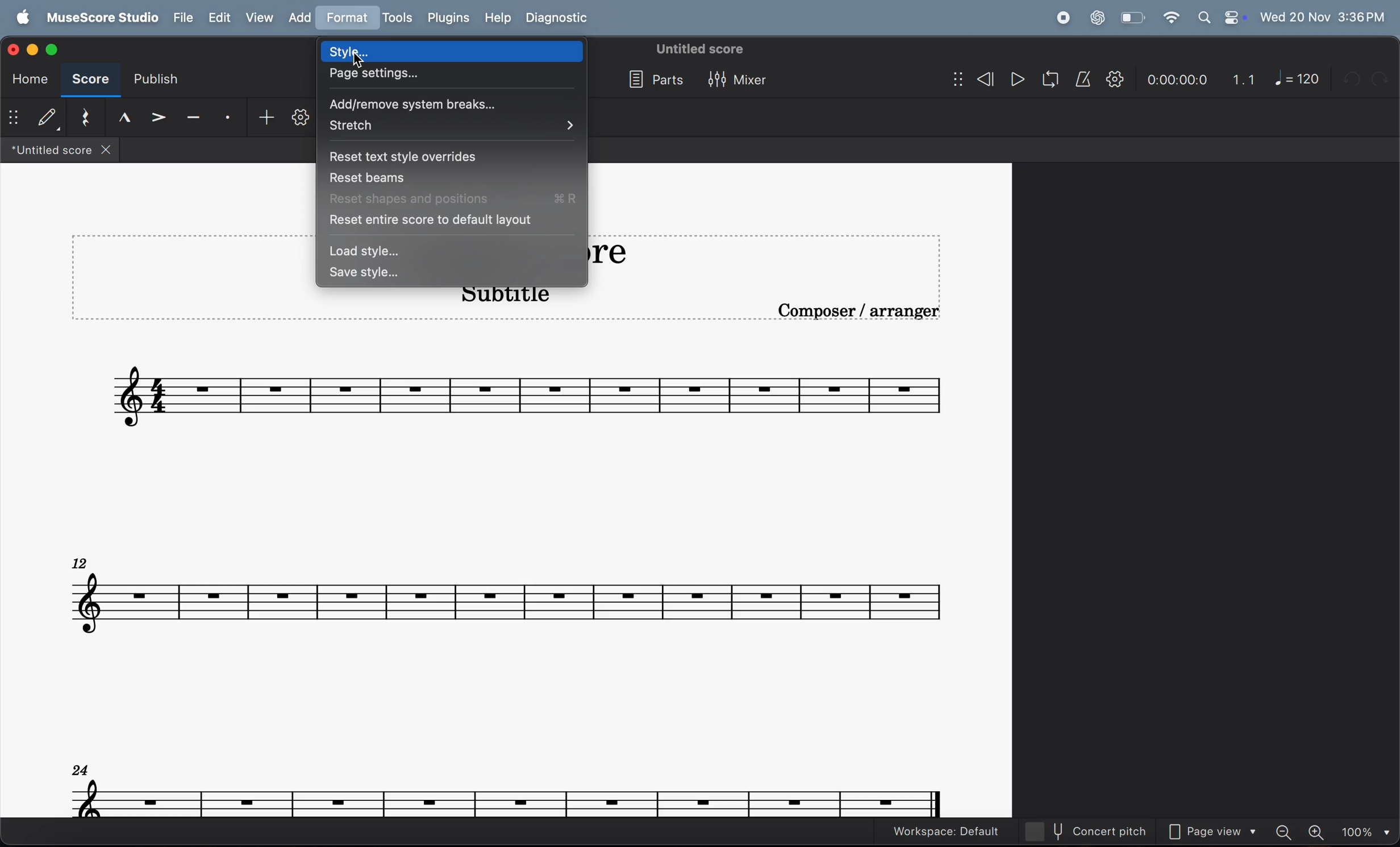  Describe the element at coordinates (448, 18) in the screenshot. I see `plugins` at that location.